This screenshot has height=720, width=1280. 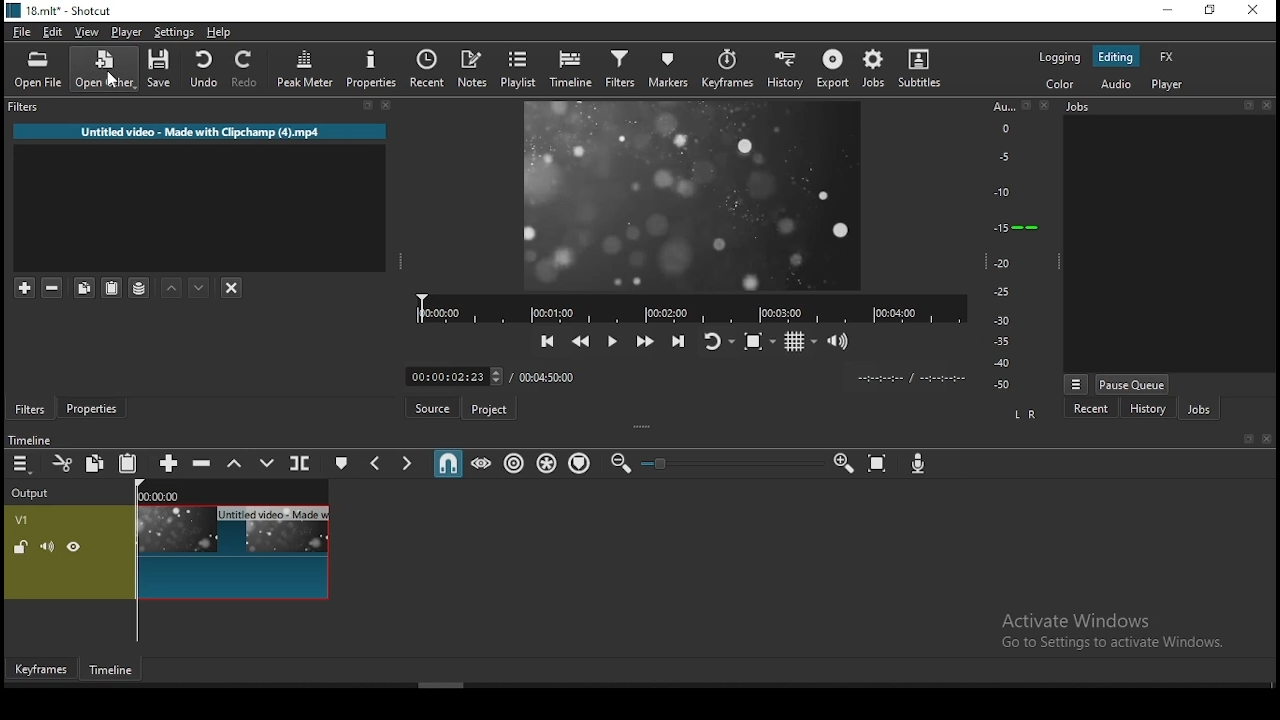 What do you see at coordinates (1030, 414) in the screenshot?
I see `L R` at bounding box center [1030, 414].